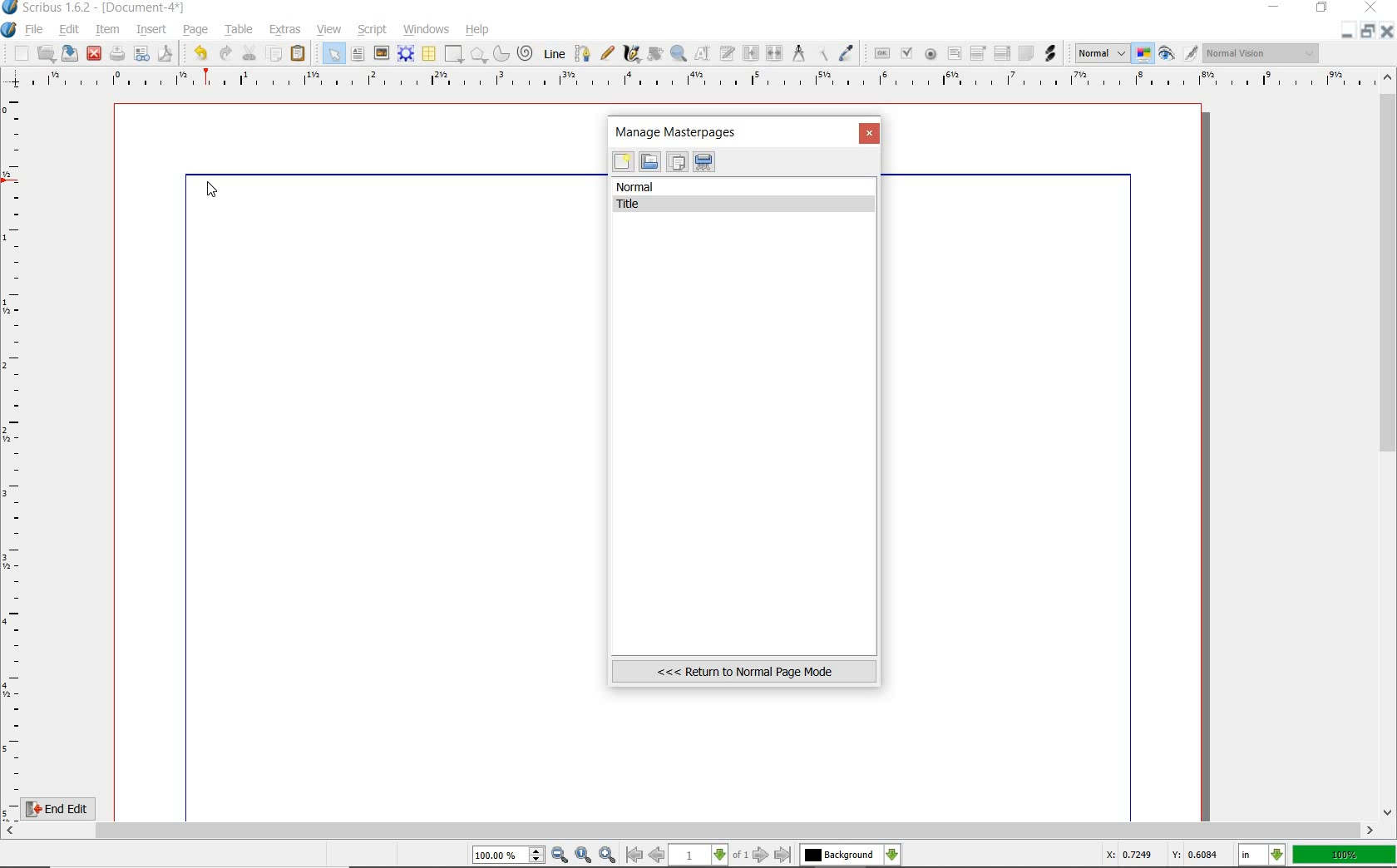  I want to click on pdf check box, so click(906, 53).